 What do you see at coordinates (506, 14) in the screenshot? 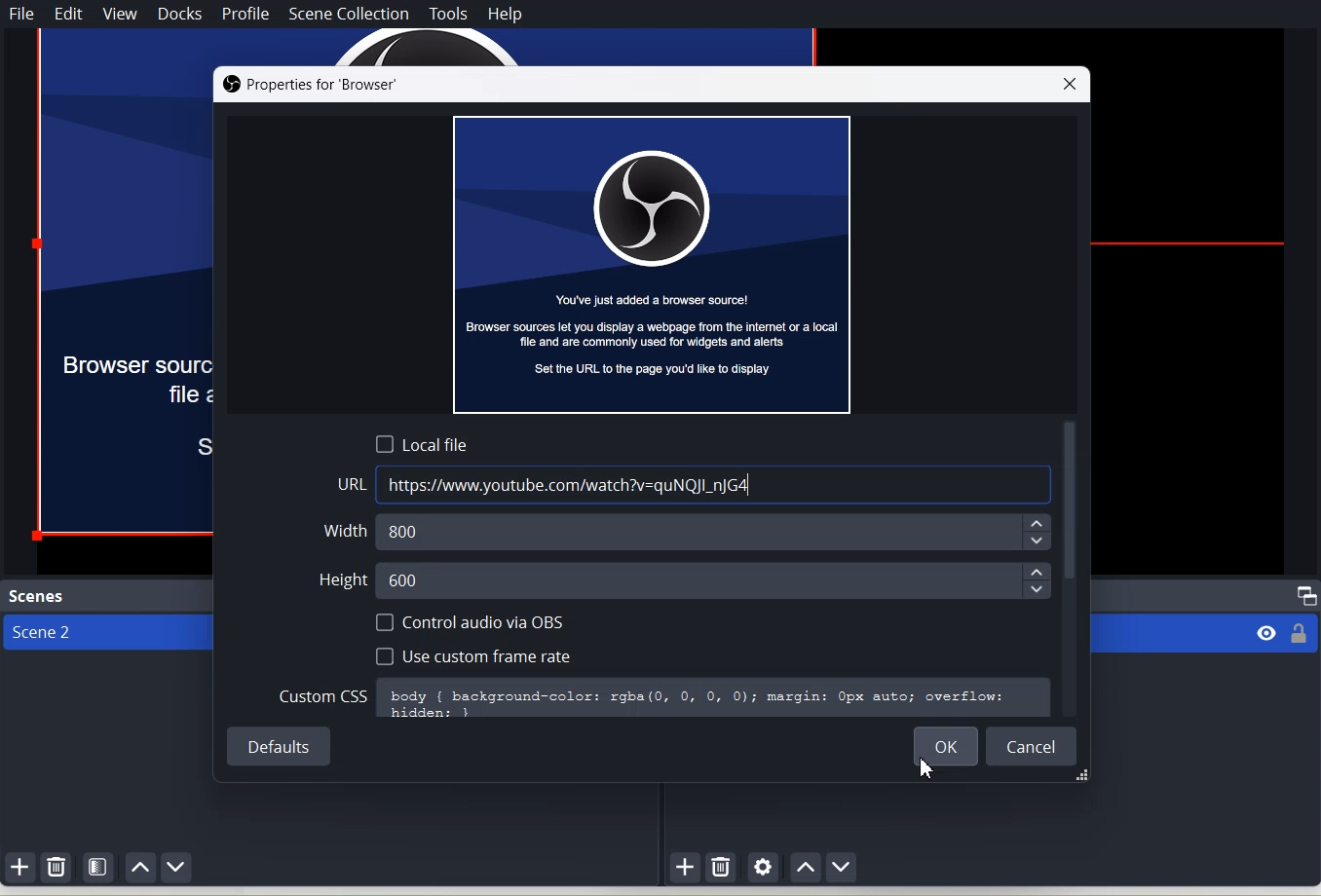
I see `Help` at bounding box center [506, 14].